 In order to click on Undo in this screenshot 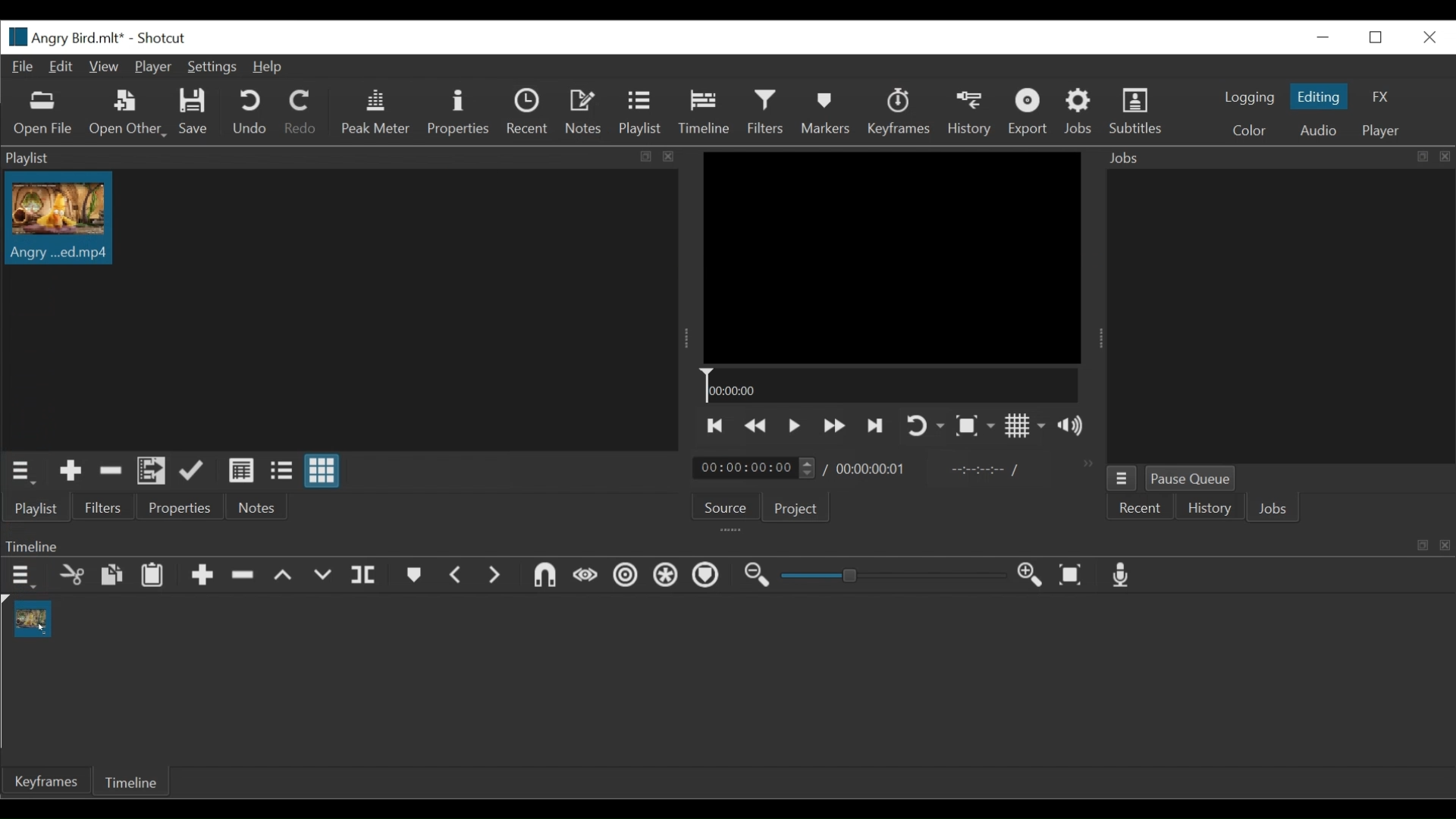, I will do `click(249, 112)`.